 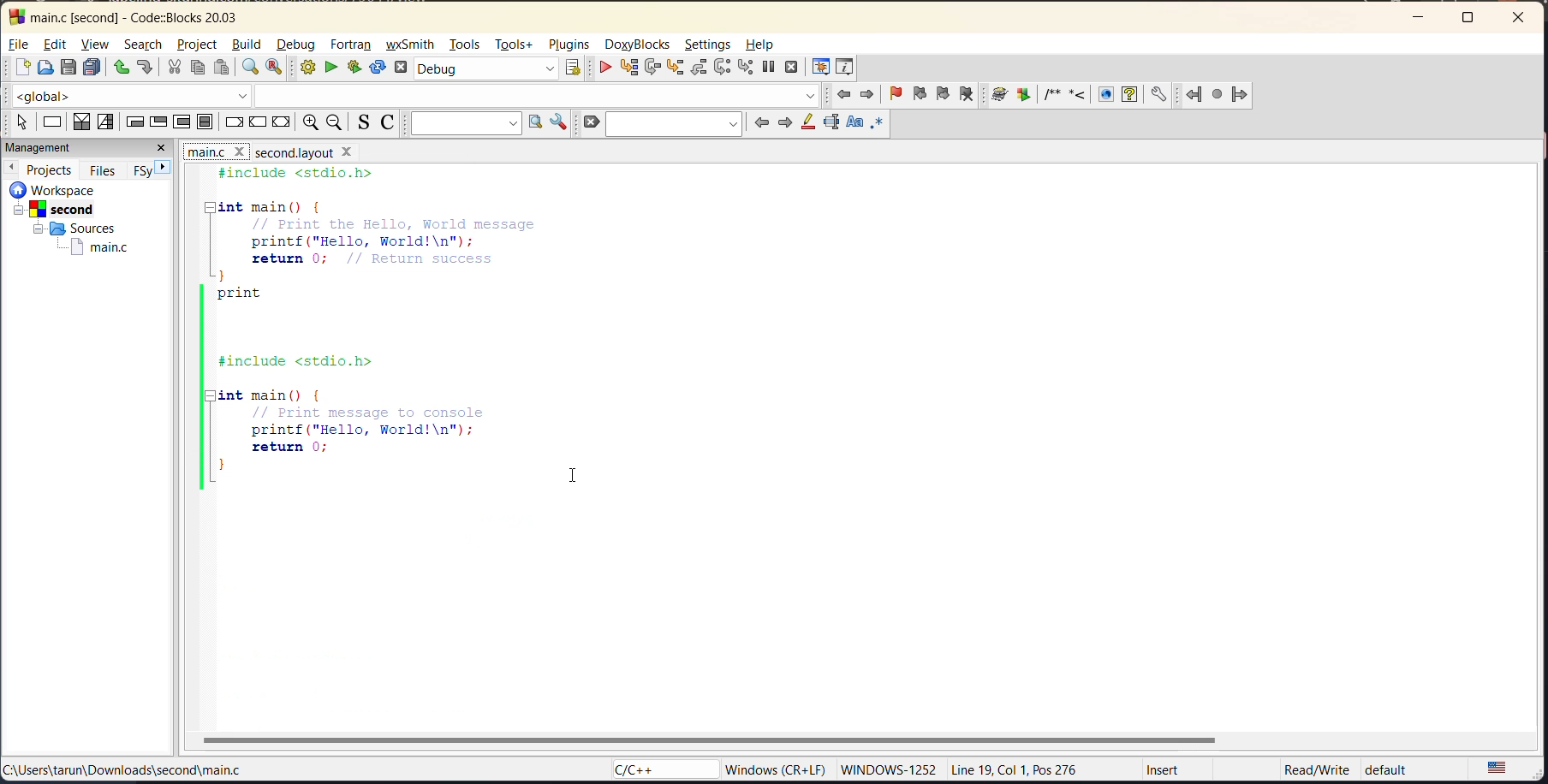 I want to click on selection, so click(x=104, y=122).